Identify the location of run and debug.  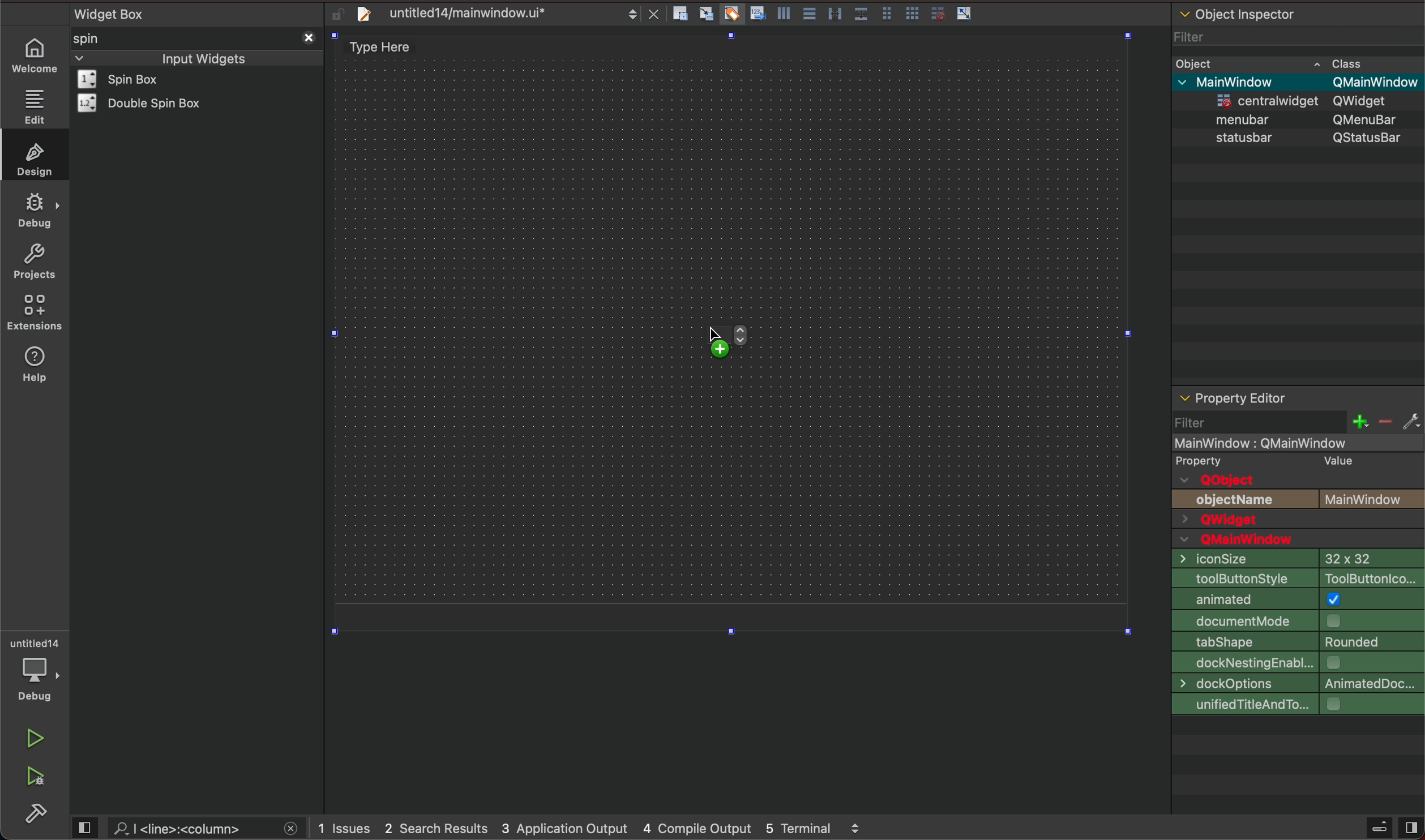
(37, 779).